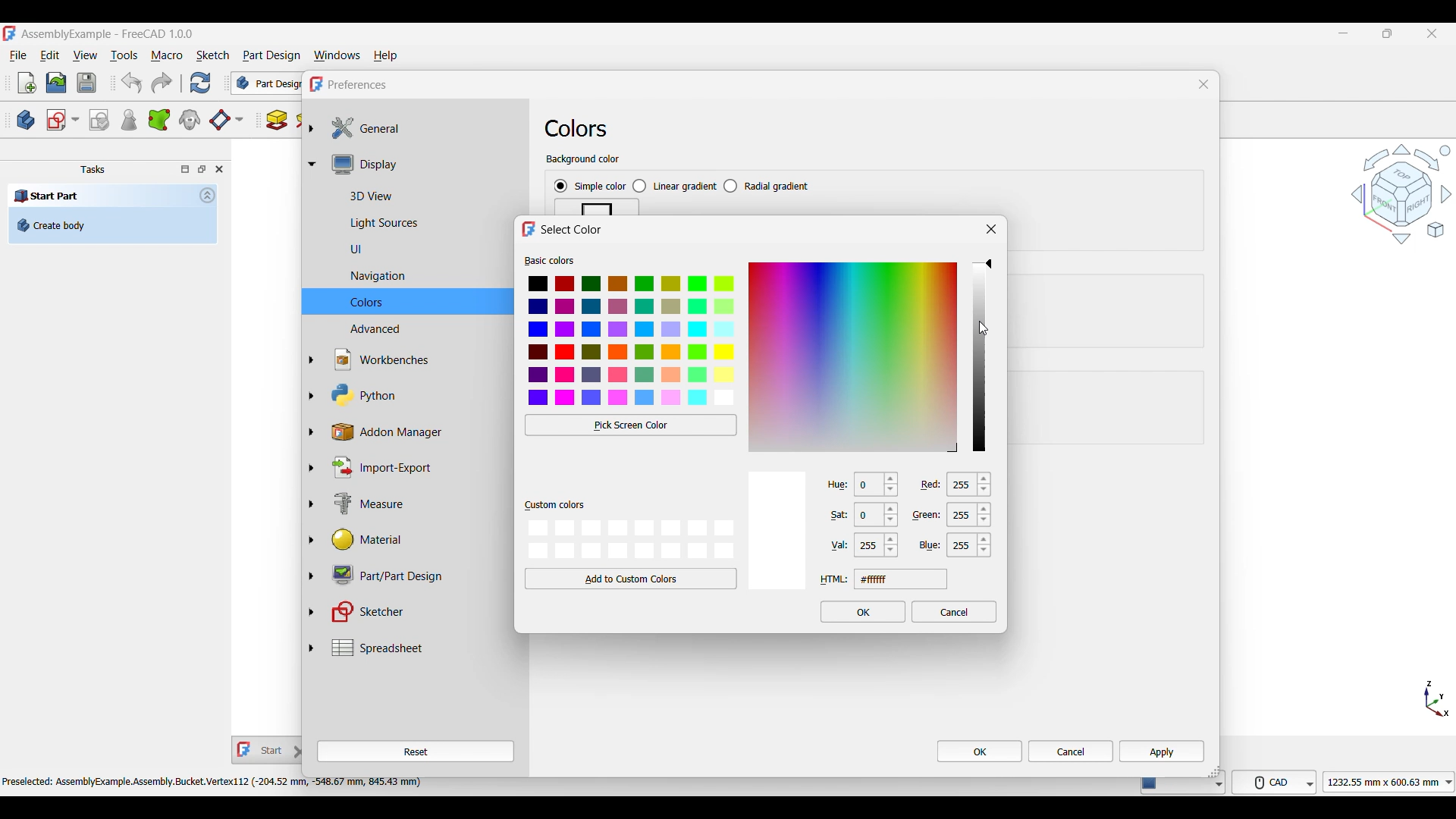  Describe the element at coordinates (312, 388) in the screenshot. I see `Expand/Collapse` at that location.